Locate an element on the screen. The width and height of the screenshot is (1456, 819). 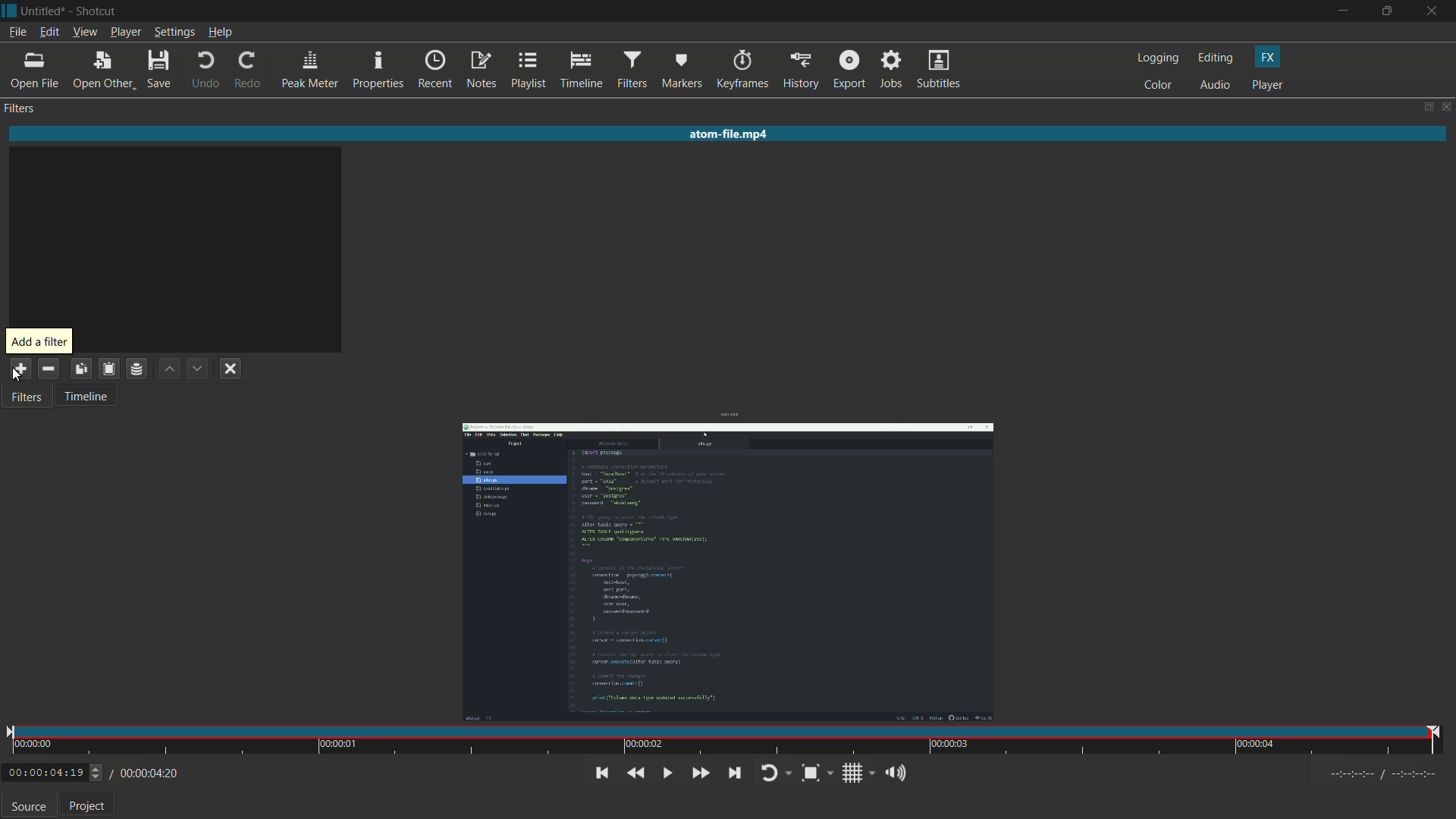
peak meter is located at coordinates (308, 71).